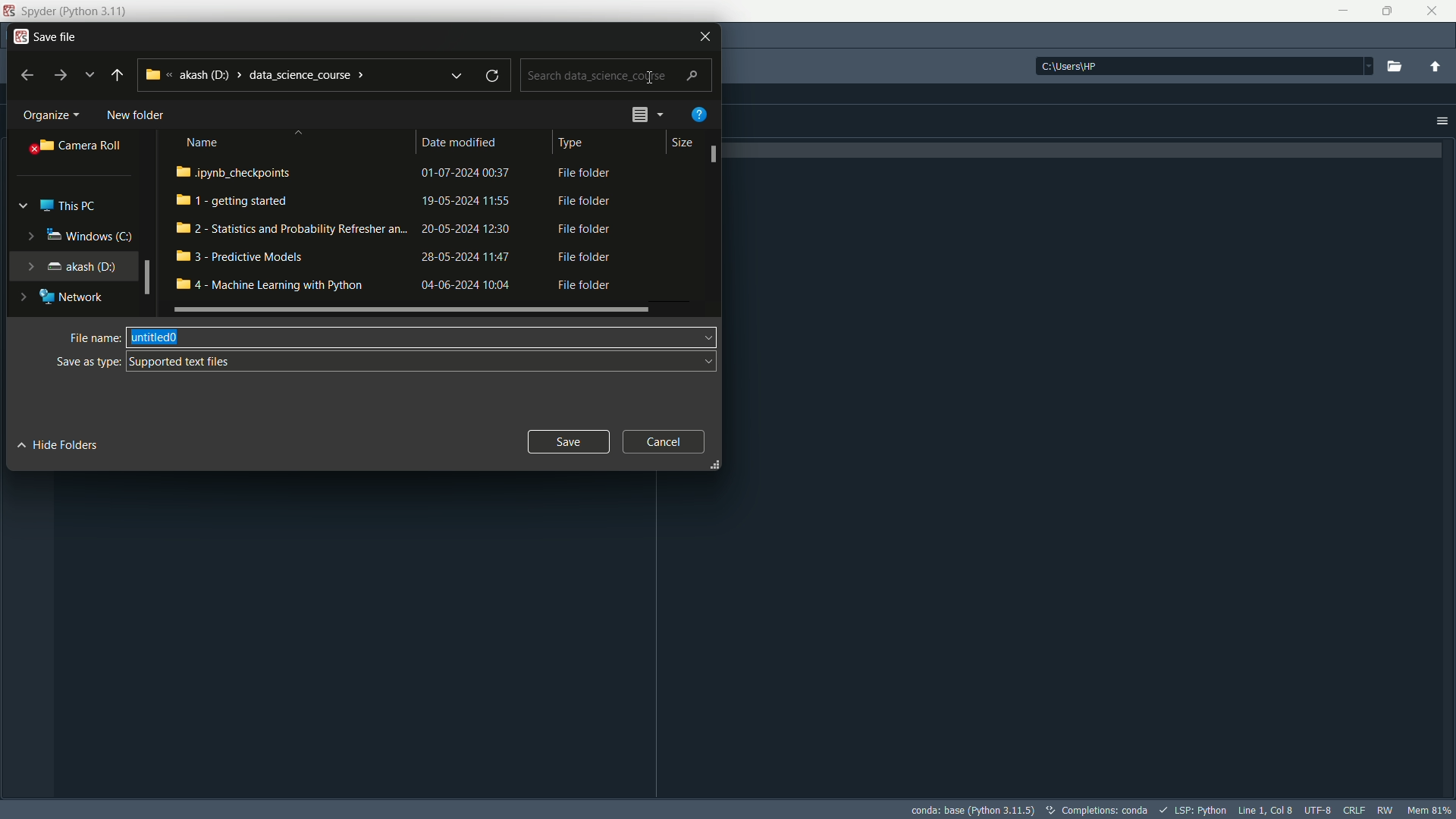 The width and height of the screenshot is (1456, 819). What do you see at coordinates (52, 115) in the screenshot?
I see `organize` at bounding box center [52, 115].